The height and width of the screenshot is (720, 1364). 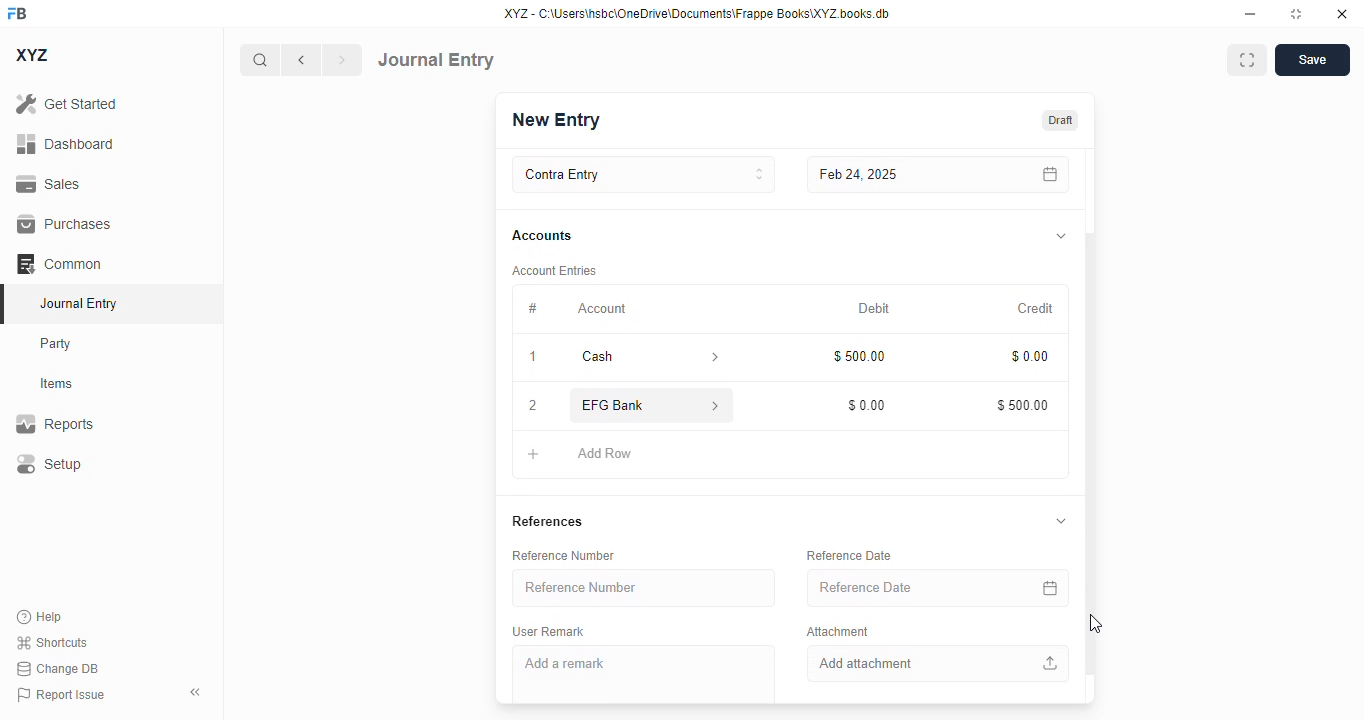 I want to click on reference date, so click(x=897, y=586).